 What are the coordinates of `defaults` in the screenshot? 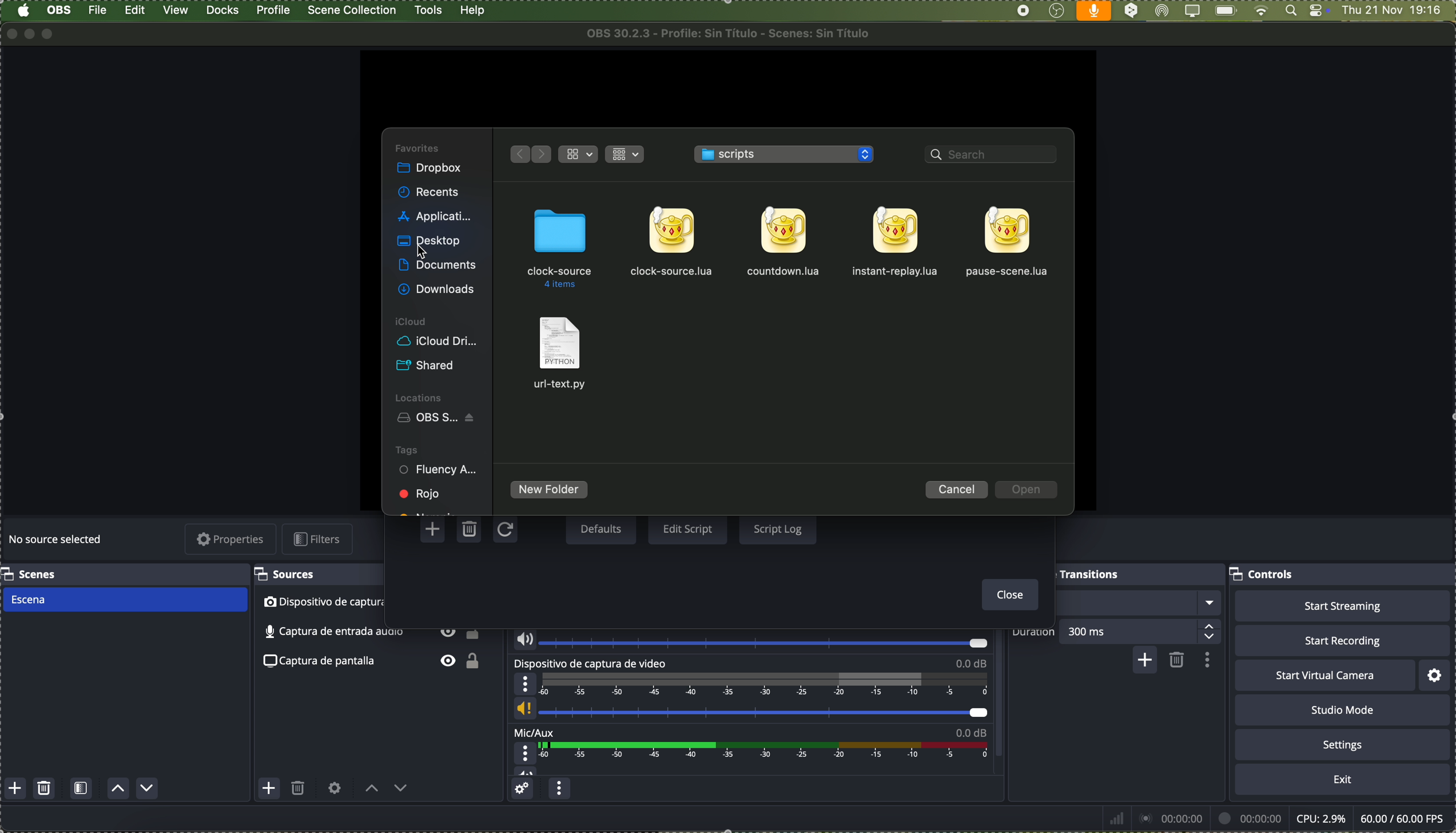 It's located at (600, 530).